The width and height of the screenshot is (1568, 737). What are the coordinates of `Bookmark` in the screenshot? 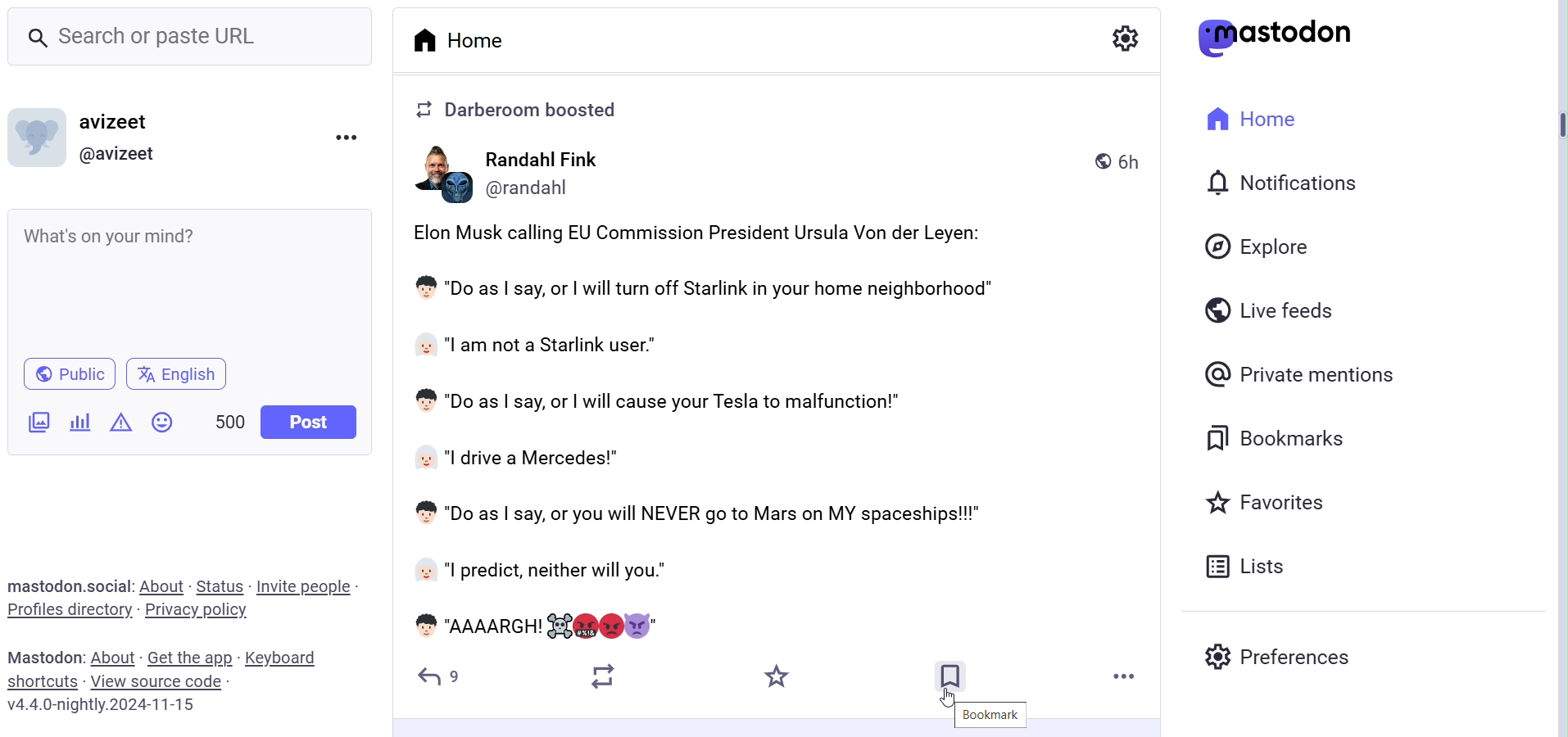 It's located at (987, 714).